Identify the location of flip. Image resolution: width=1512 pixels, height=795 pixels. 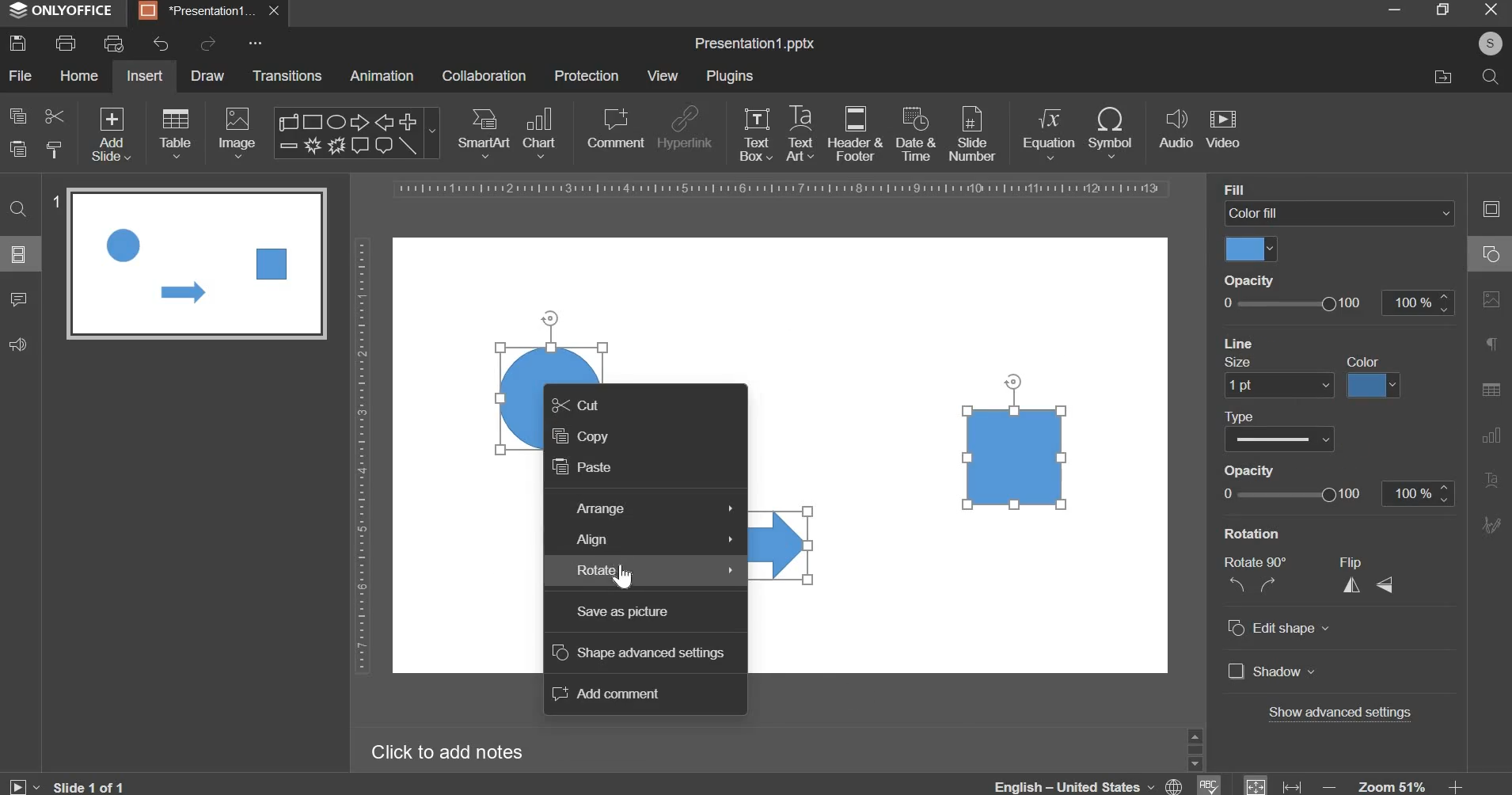
(1360, 561).